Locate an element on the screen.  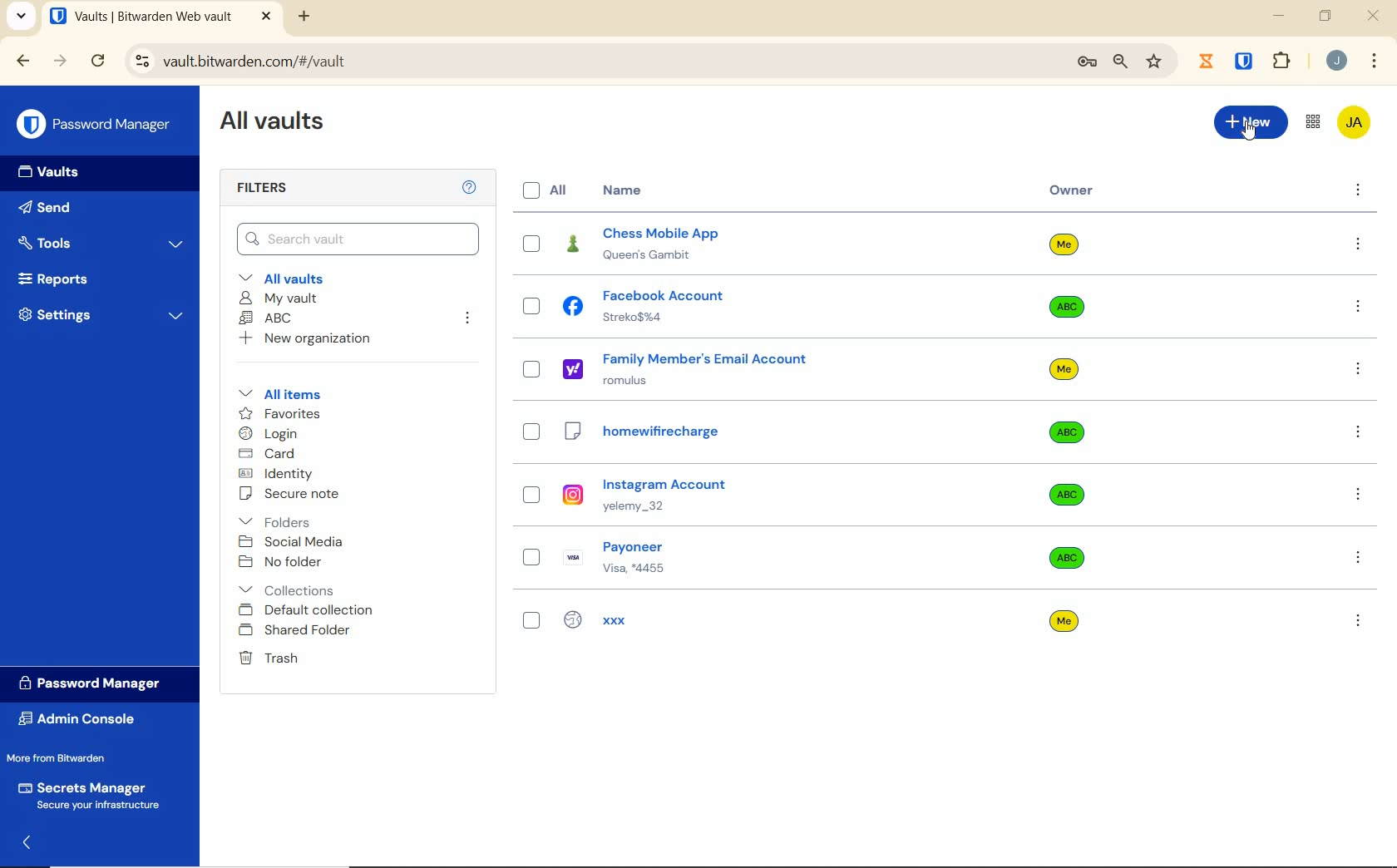
more options is located at coordinates (1359, 245).